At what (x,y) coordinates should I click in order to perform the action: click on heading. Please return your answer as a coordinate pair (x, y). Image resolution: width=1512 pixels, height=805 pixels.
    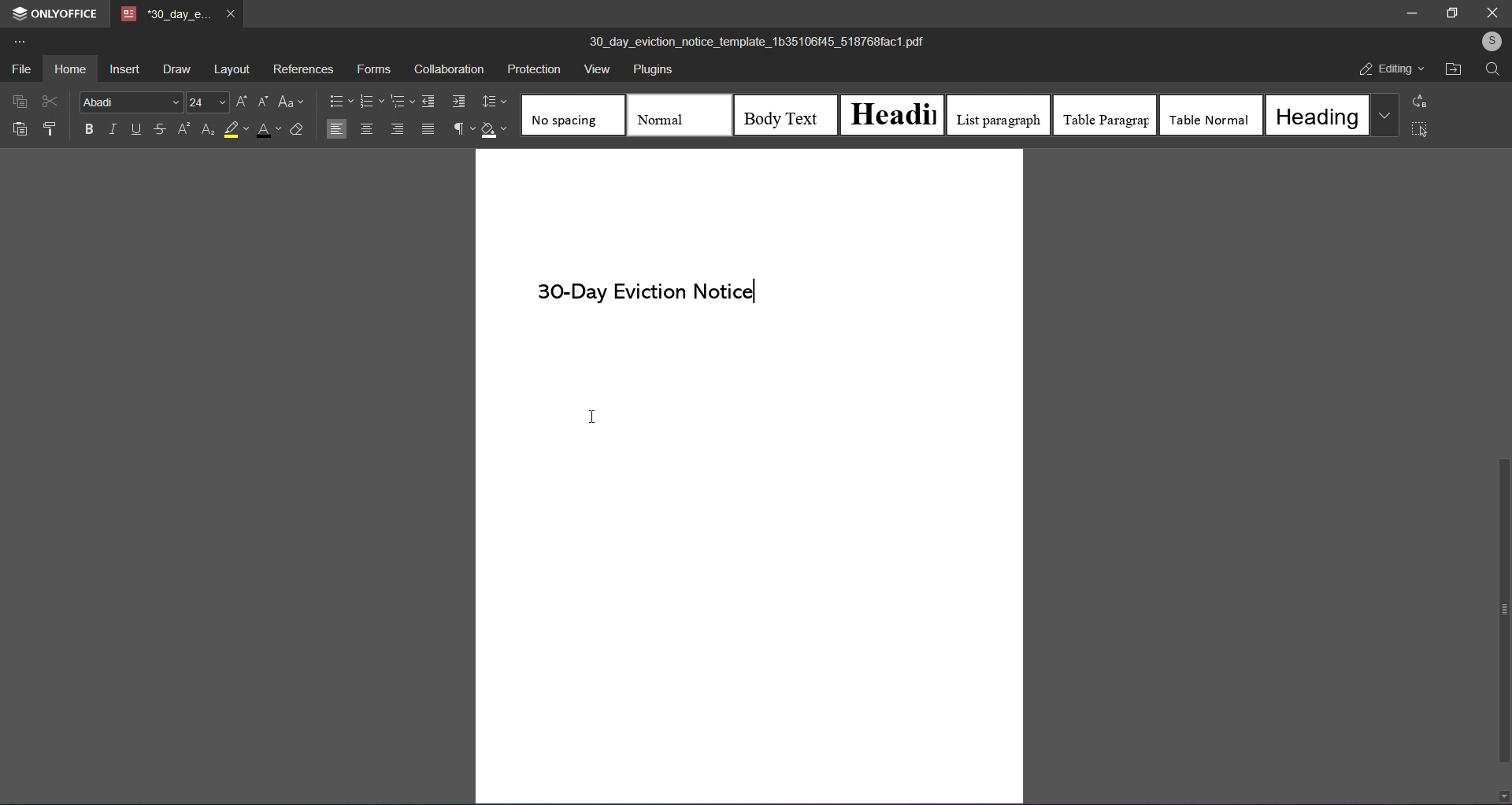
    Looking at the image, I should click on (896, 113).